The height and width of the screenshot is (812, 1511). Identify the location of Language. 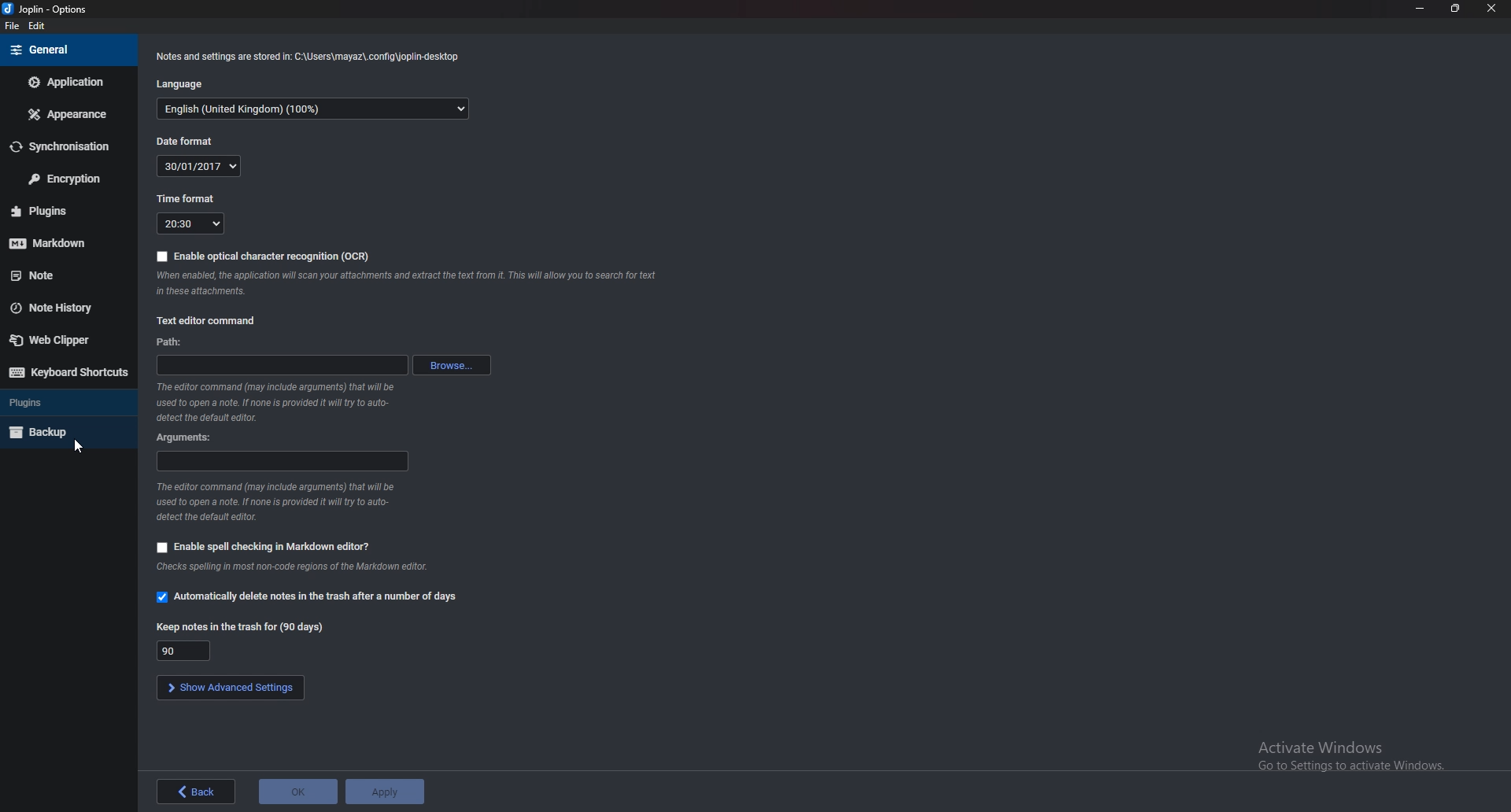
(179, 84).